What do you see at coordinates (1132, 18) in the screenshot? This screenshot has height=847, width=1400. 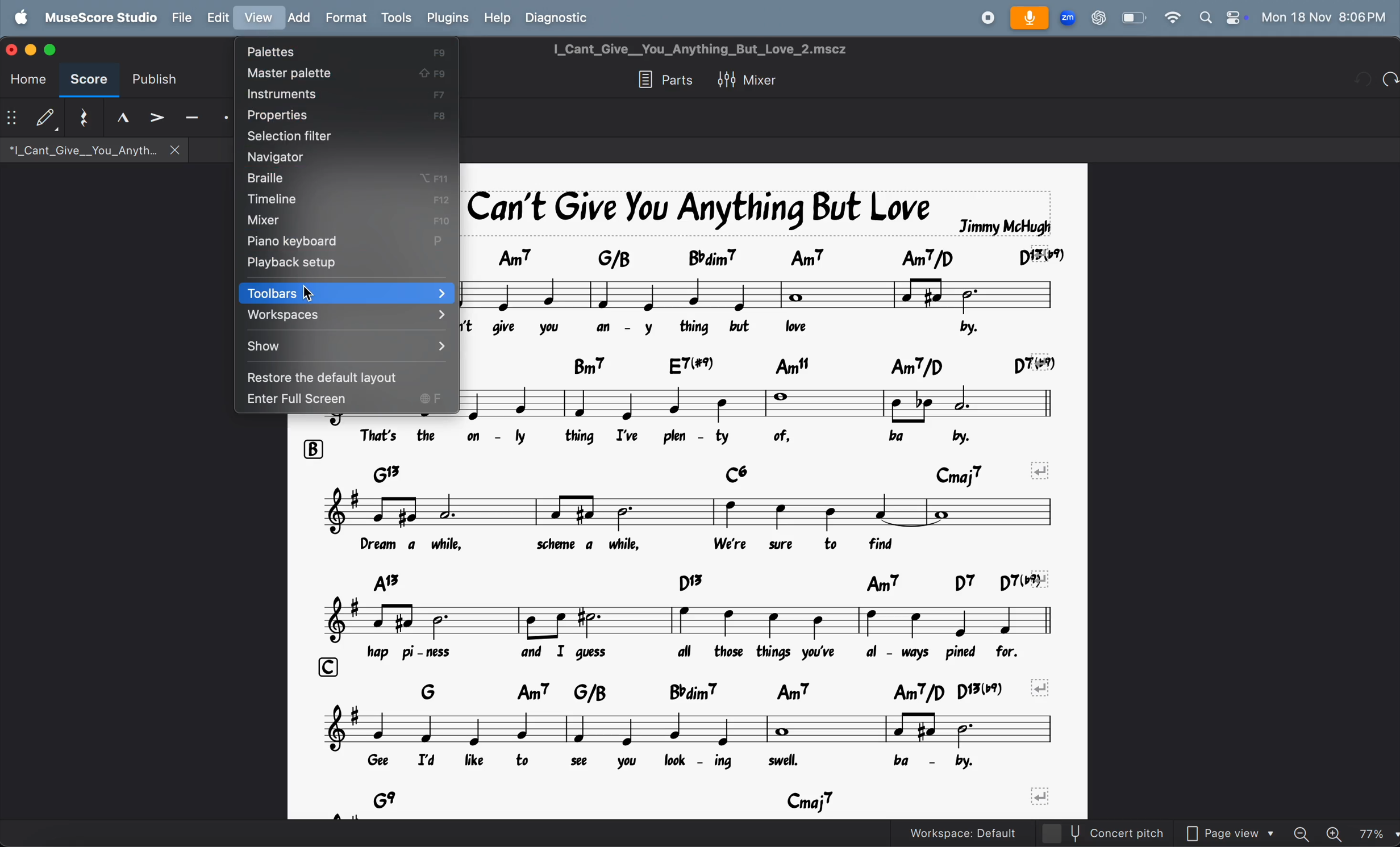 I see `battery` at bounding box center [1132, 18].